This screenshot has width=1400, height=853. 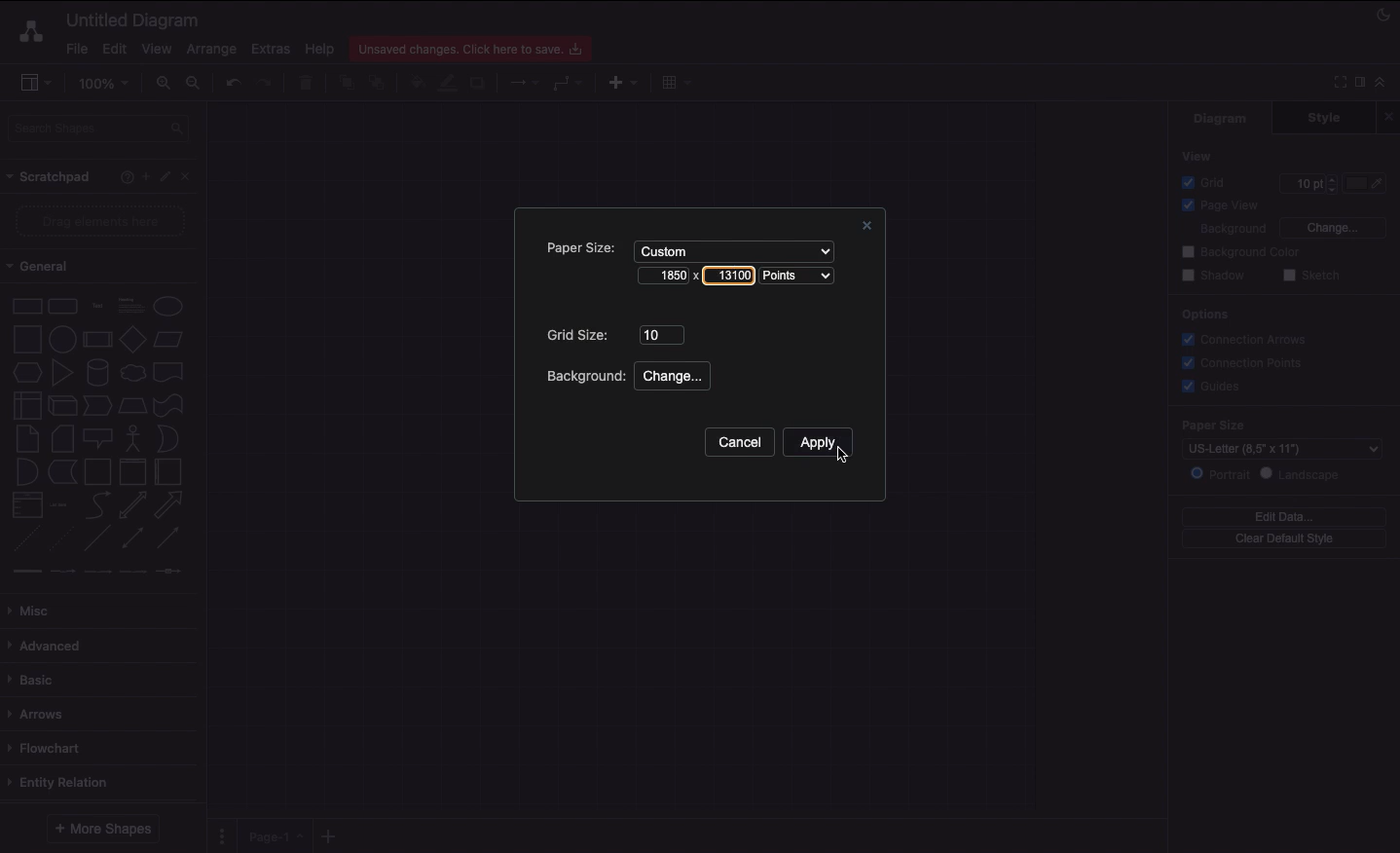 I want to click on Circle, so click(x=62, y=337).